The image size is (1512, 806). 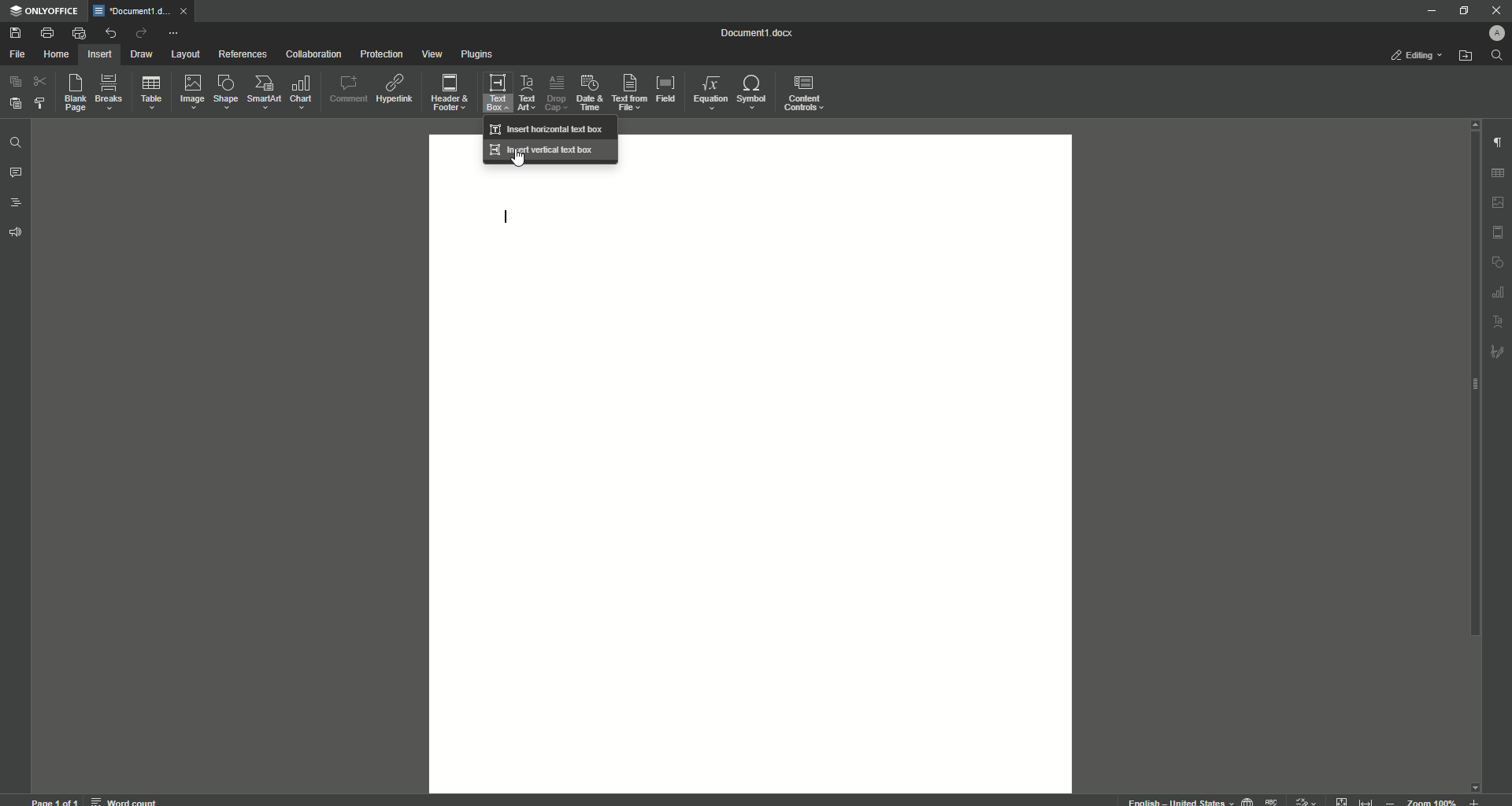 What do you see at coordinates (17, 55) in the screenshot?
I see `File` at bounding box center [17, 55].